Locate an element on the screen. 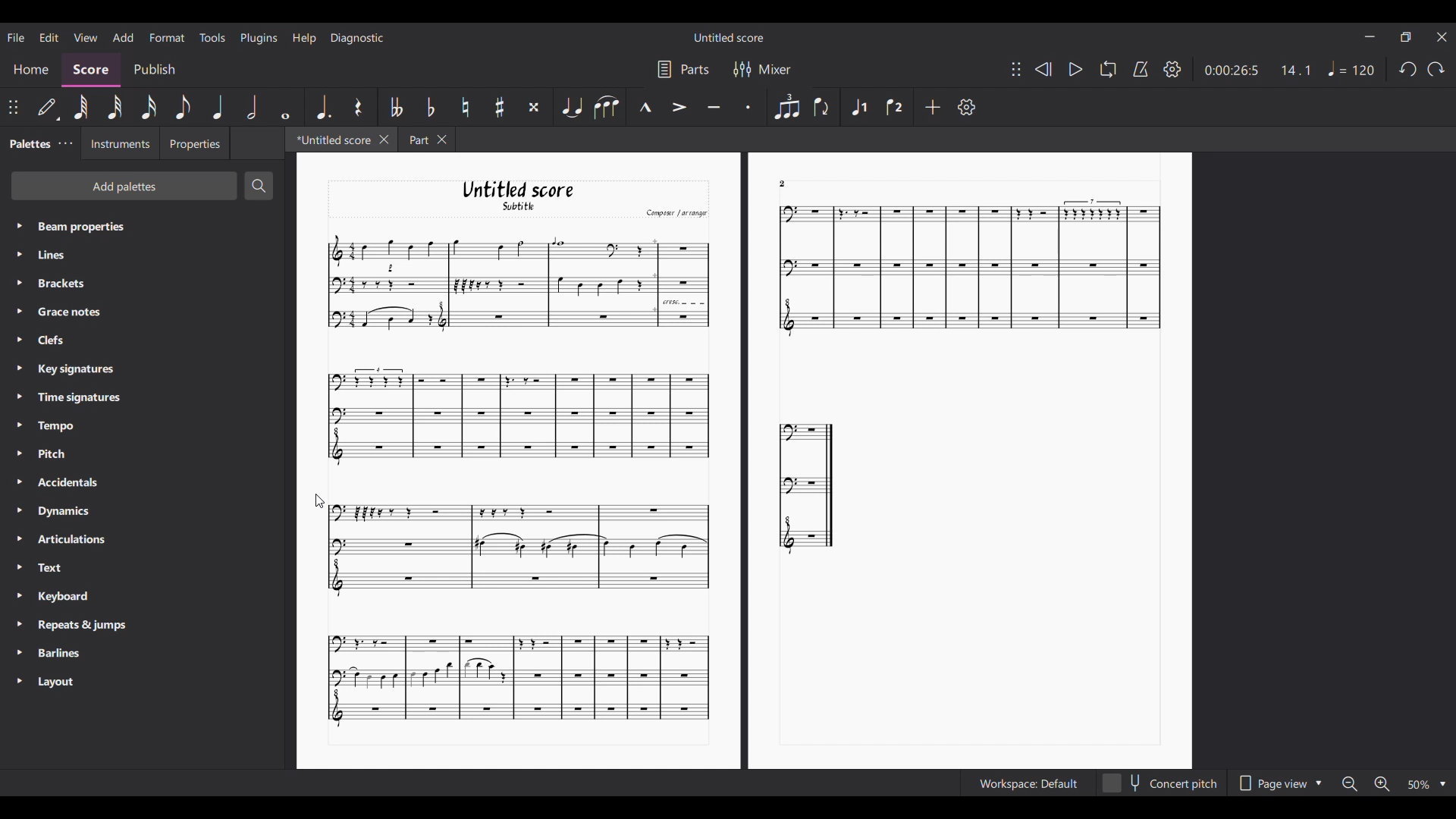 This screenshot has height=819, width=1456. Format menu is located at coordinates (167, 38).